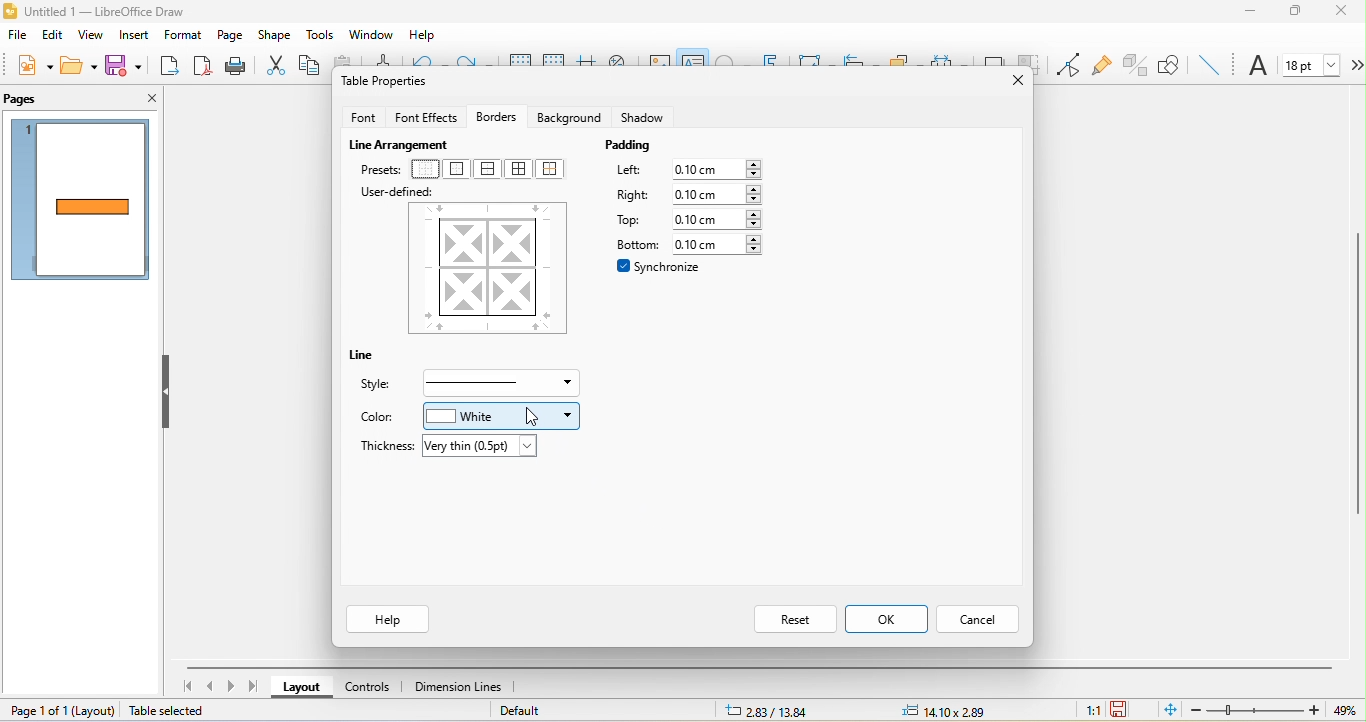 This screenshot has width=1366, height=722. Describe the element at coordinates (368, 33) in the screenshot. I see `window` at that location.